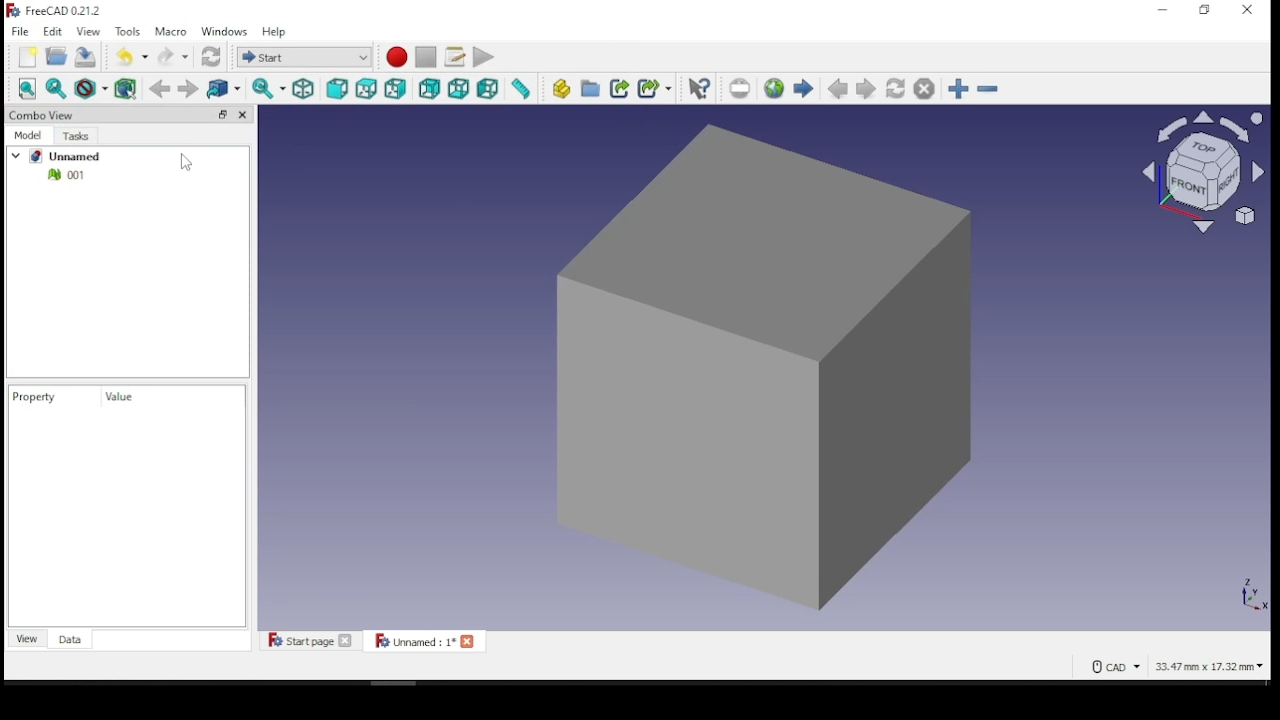  I want to click on redo, so click(172, 56).